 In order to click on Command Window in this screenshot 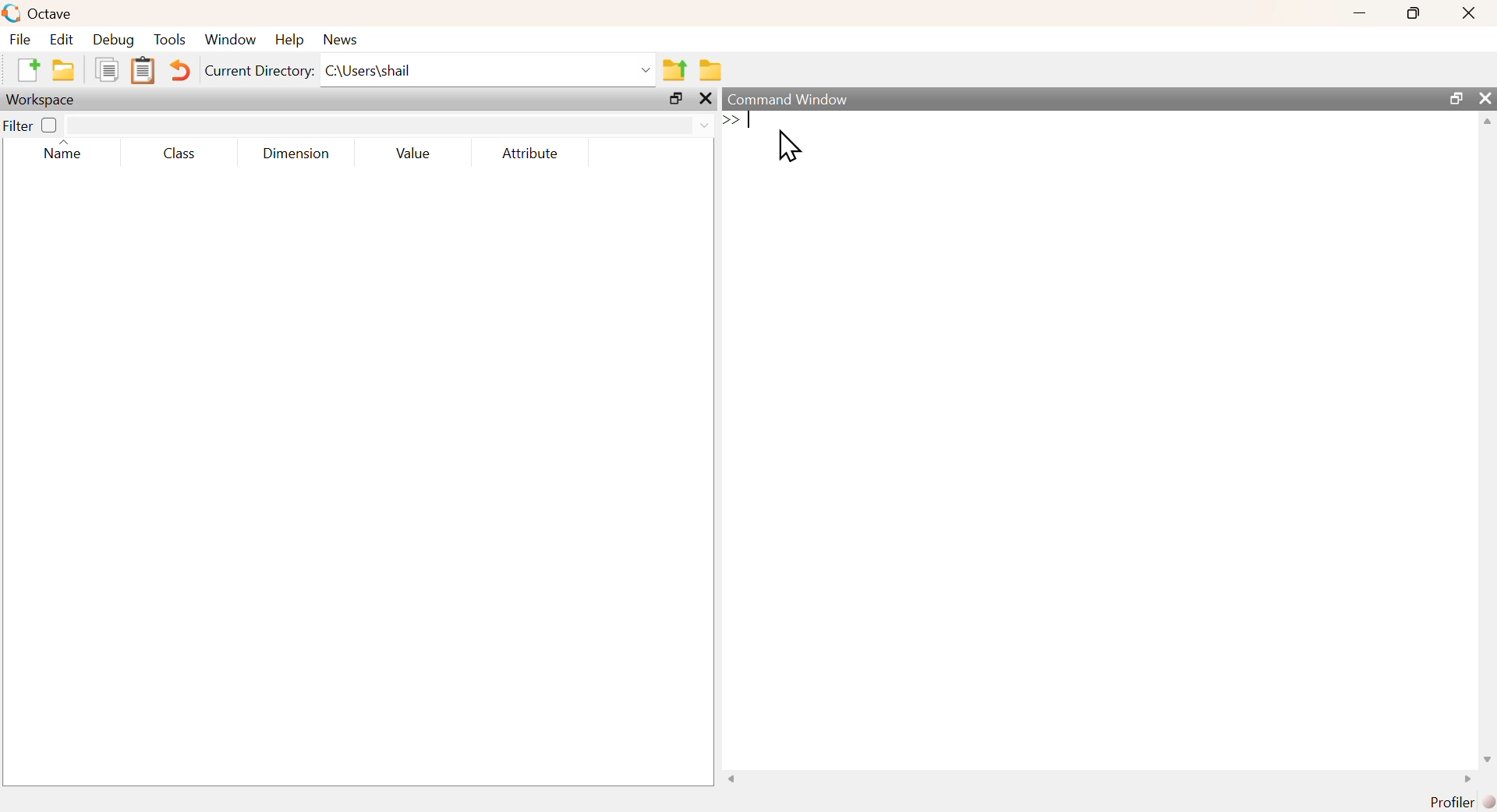, I will do `click(787, 101)`.